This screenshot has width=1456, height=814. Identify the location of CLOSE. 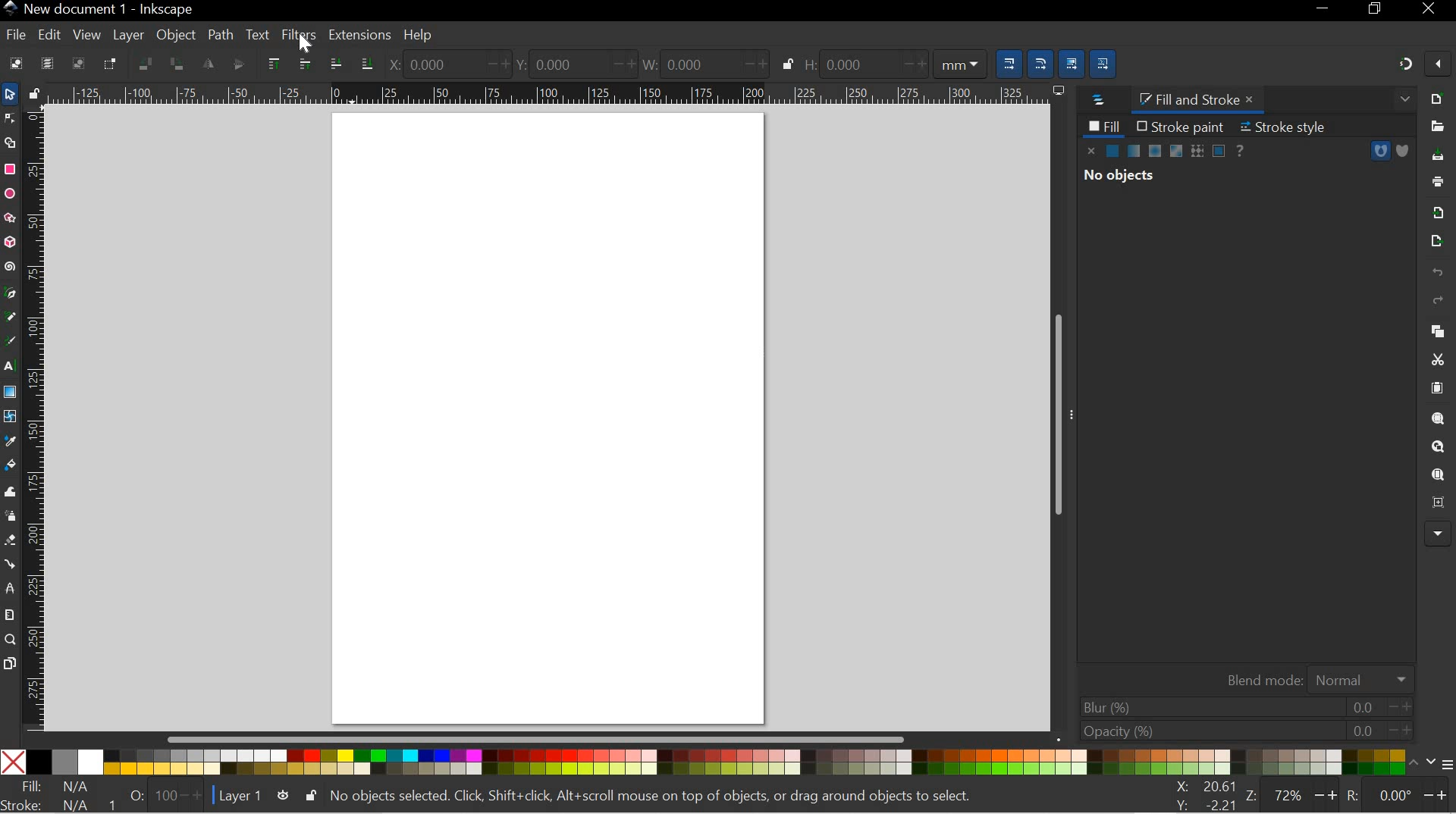
(1432, 9).